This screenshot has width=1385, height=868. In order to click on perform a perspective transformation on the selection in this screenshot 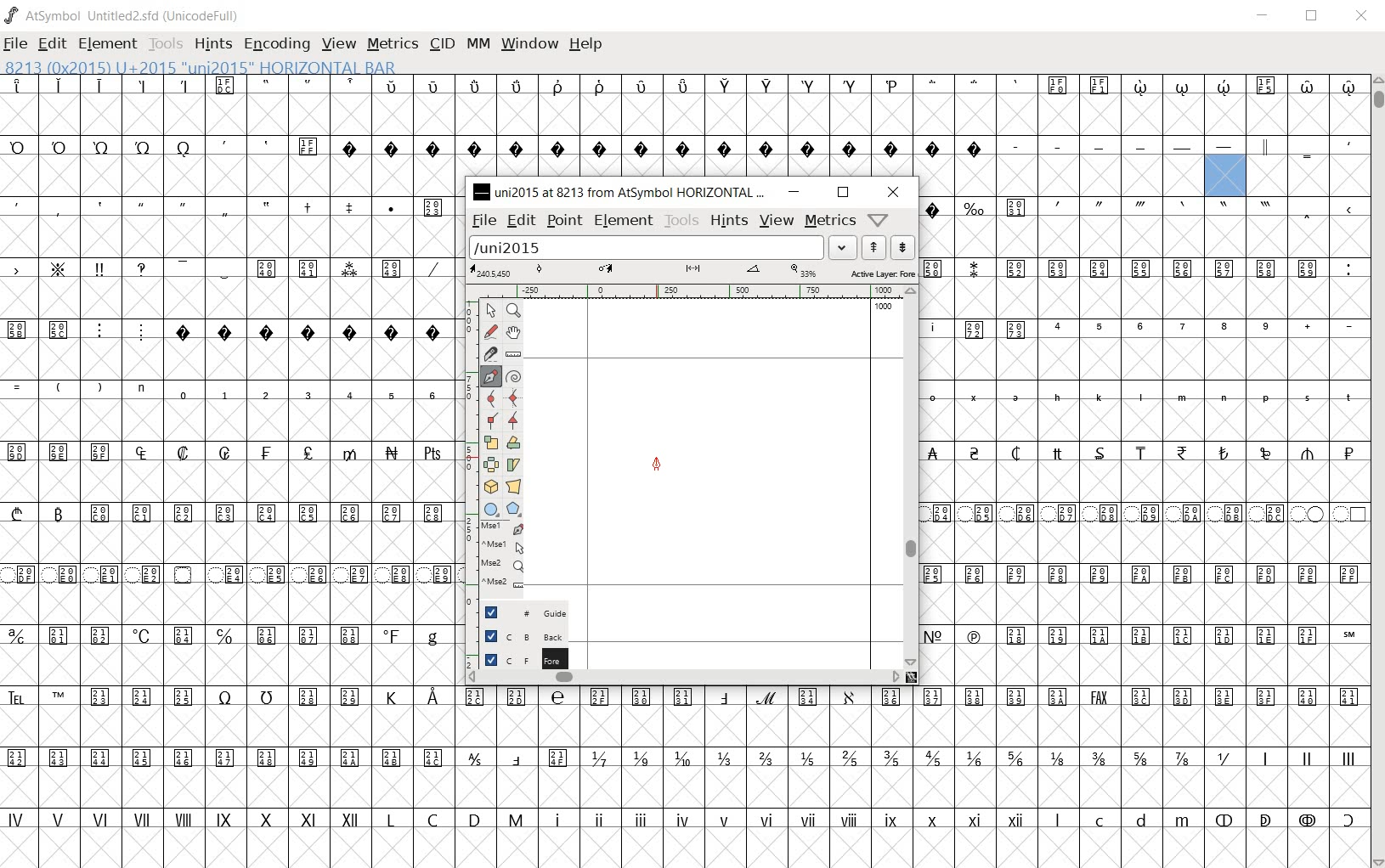, I will do `click(513, 486)`.